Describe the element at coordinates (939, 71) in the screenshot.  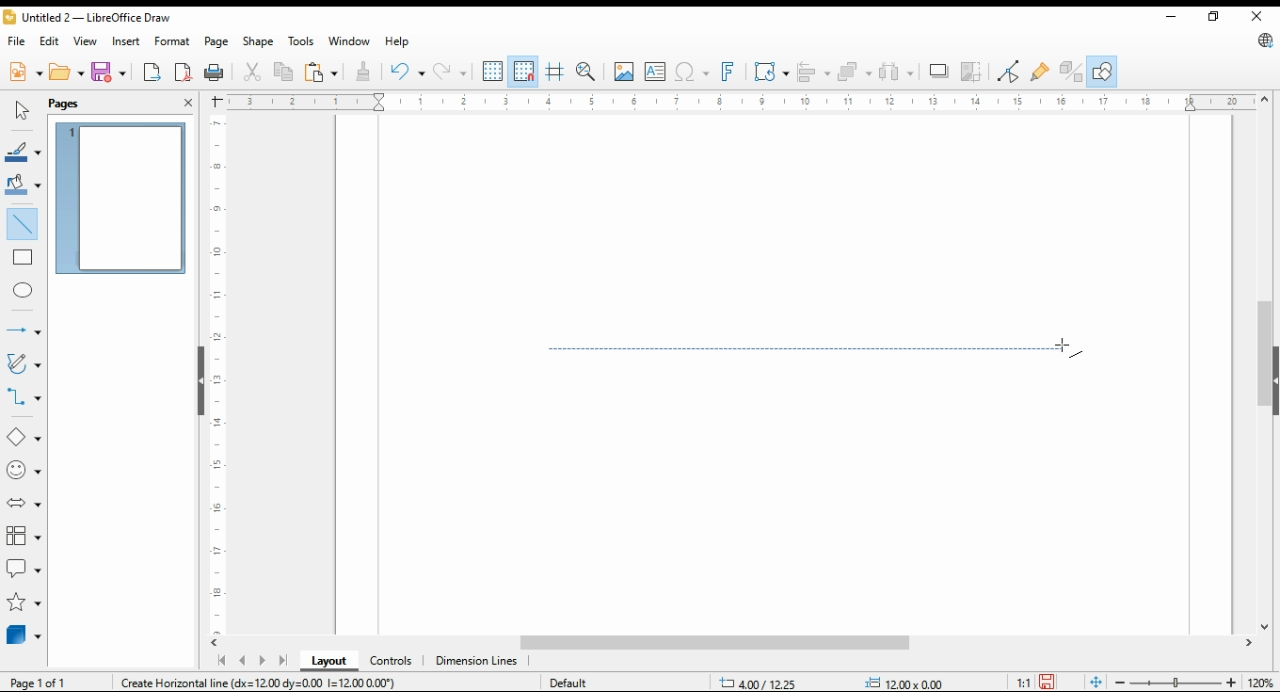
I see `shadow` at that location.